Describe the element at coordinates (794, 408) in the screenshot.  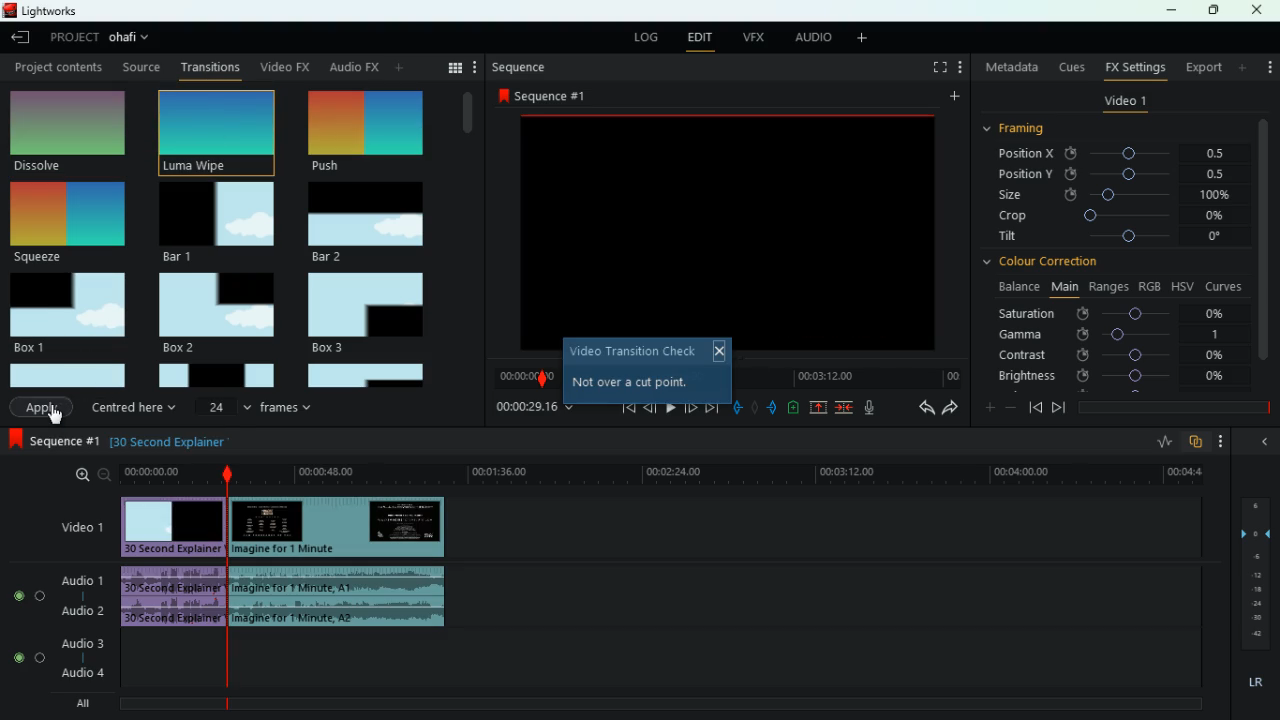
I see `charge` at that location.